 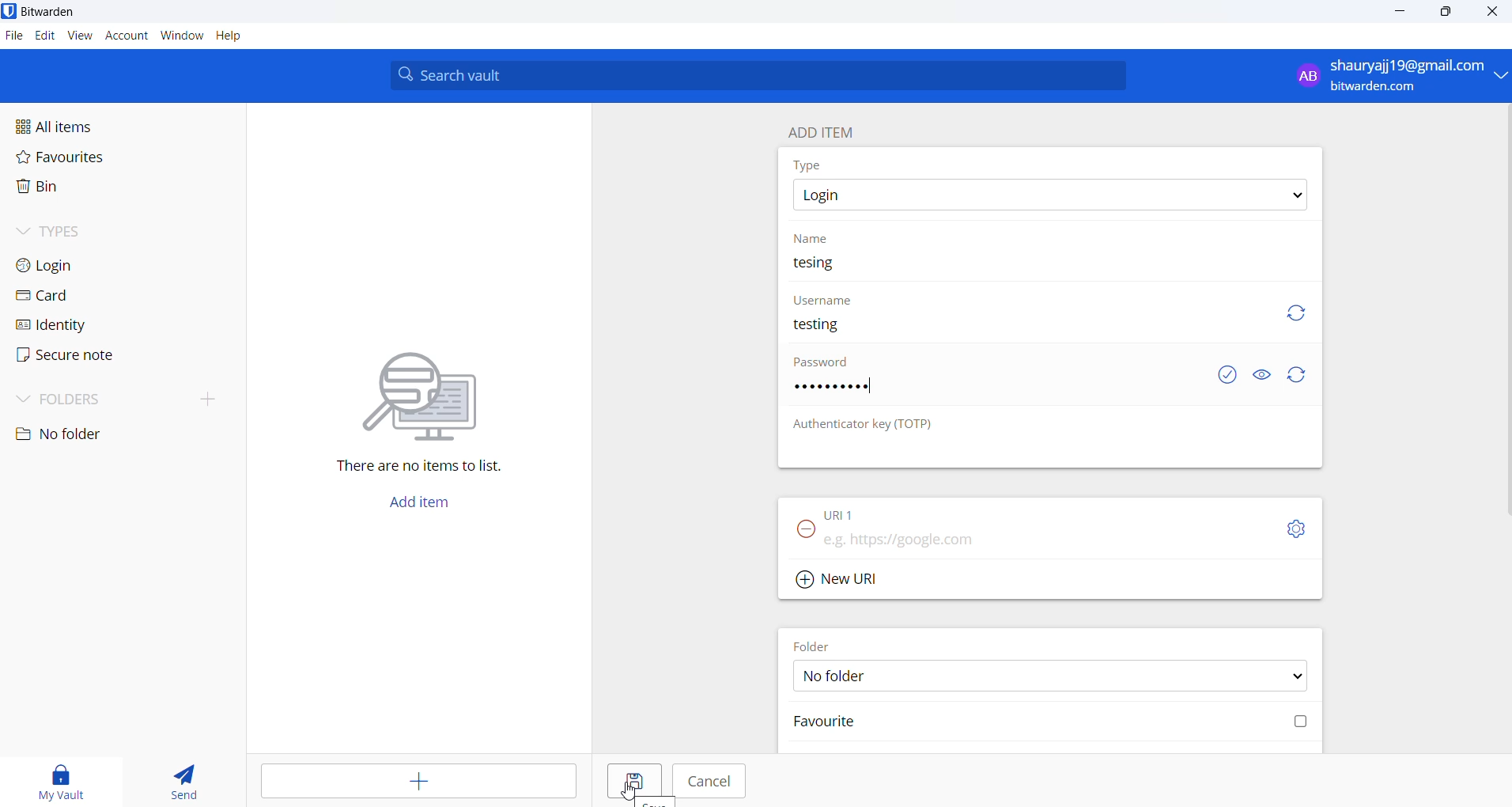 I want to click on Item type options dropdown, so click(x=1049, y=195).